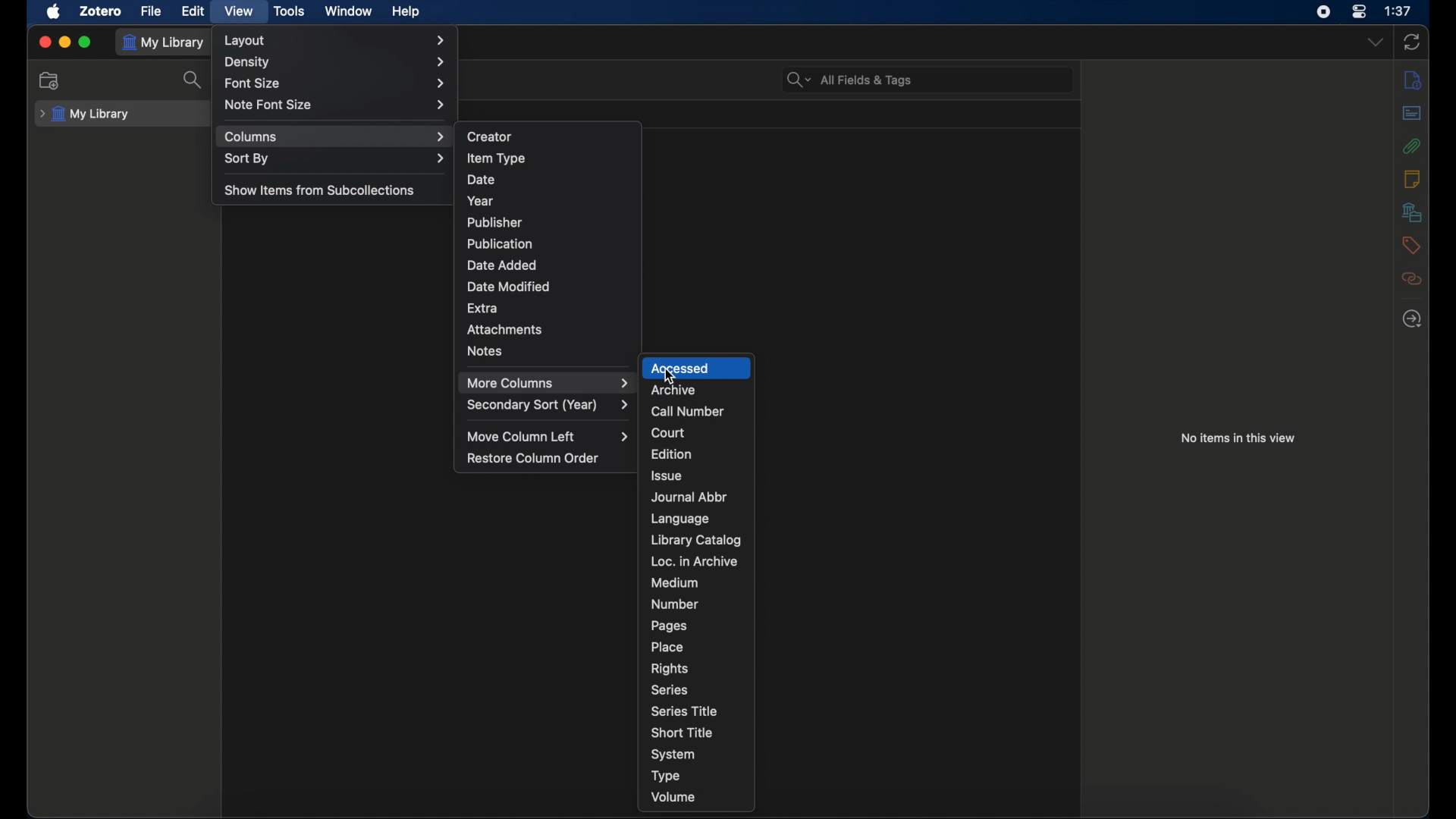 The height and width of the screenshot is (819, 1456). Describe the element at coordinates (334, 61) in the screenshot. I see `density` at that location.